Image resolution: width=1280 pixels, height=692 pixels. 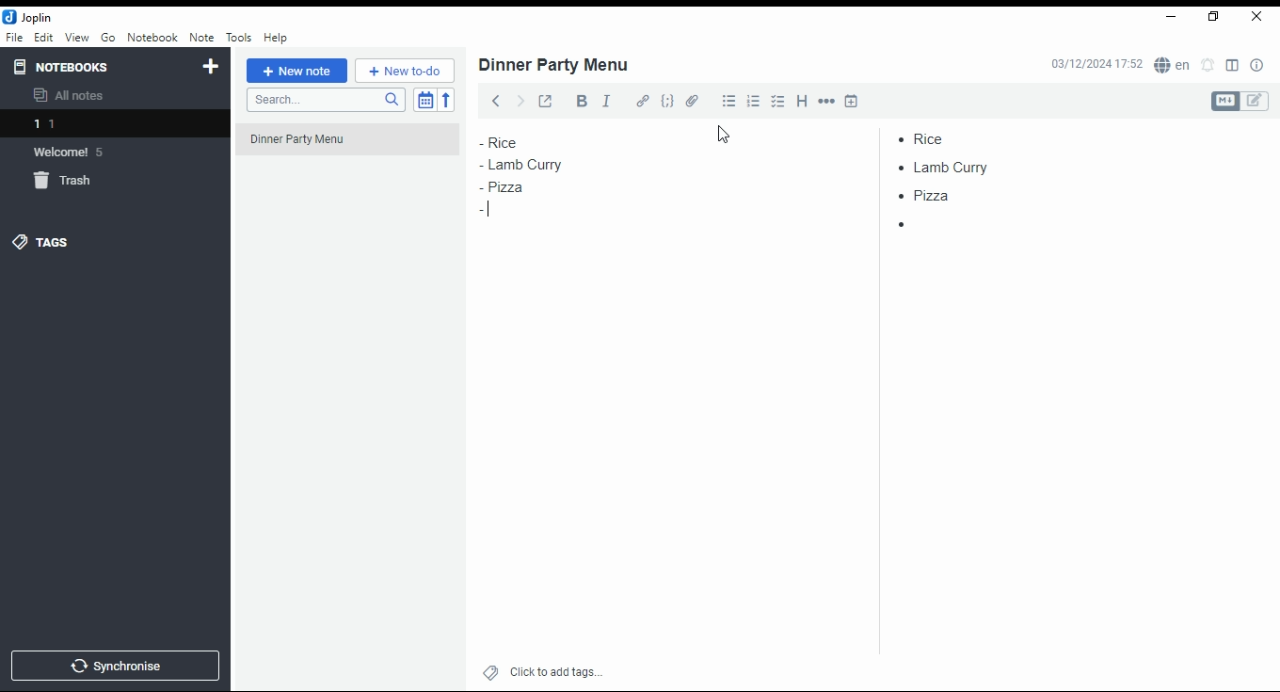 What do you see at coordinates (521, 164) in the screenshot?
I see `lamb curry` at bounding box center [521, 164].